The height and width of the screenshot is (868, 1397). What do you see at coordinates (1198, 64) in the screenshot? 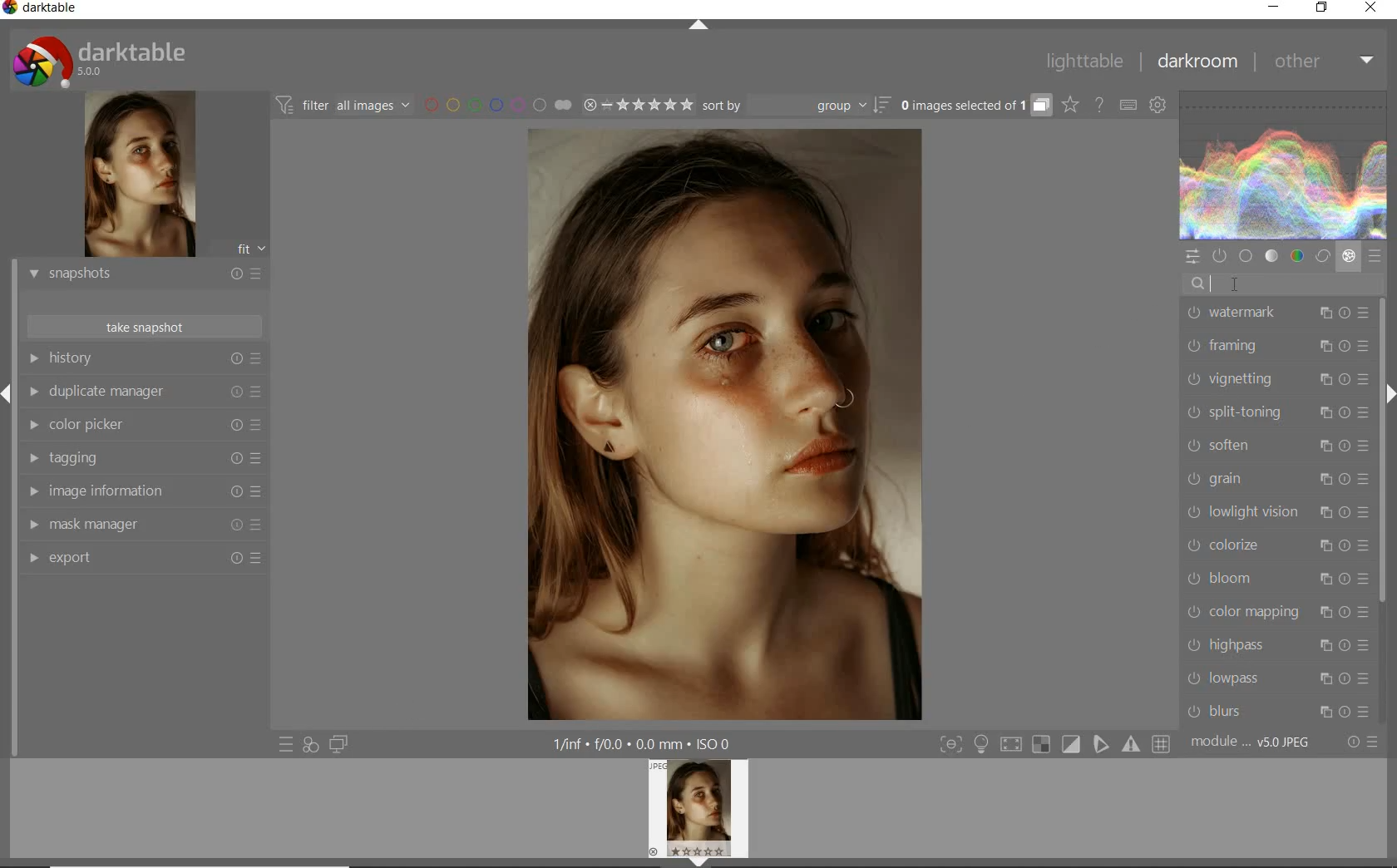
I see `darkroom` at bounding box center [1198, 64].